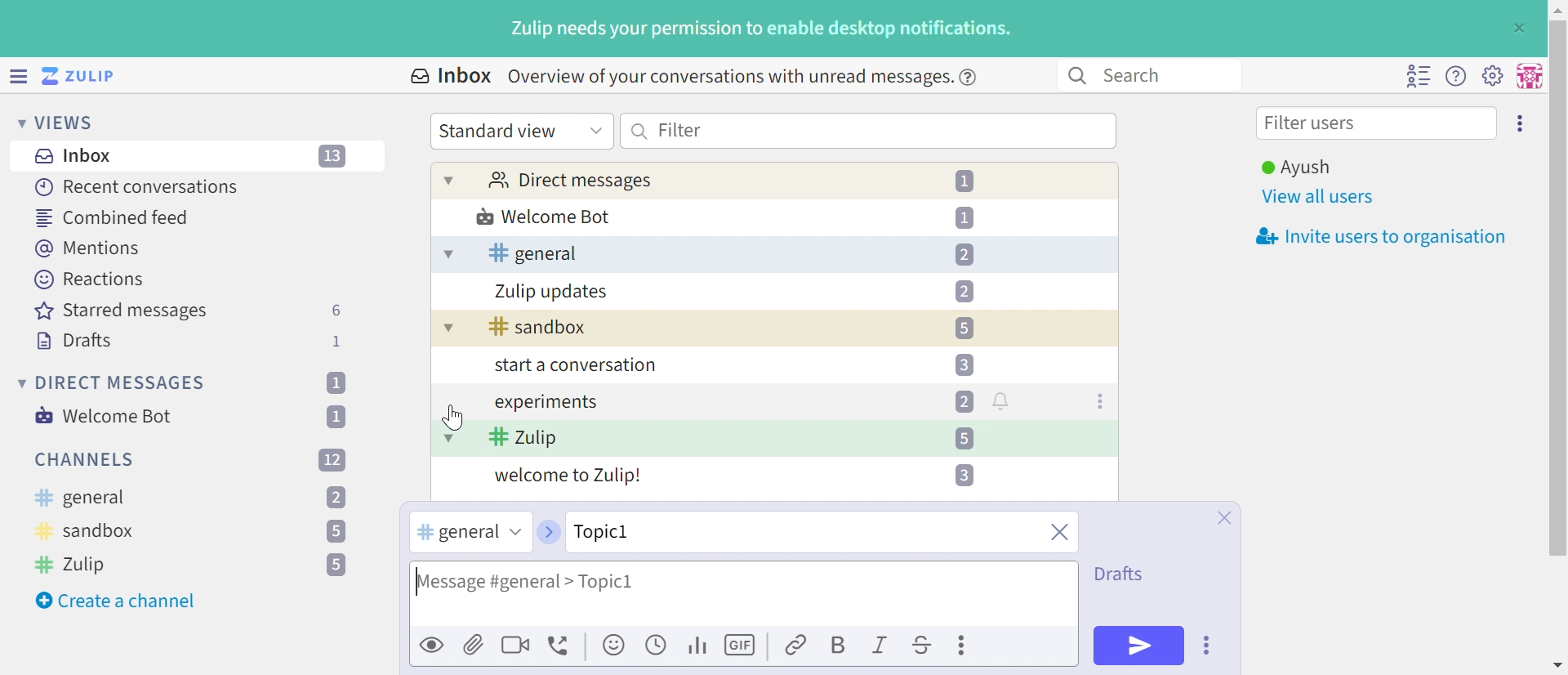 The height and width of the screenshot is (675, 1568). Describe the element at coordinates (1140, 74) in the screenshot. I see `Search` at that location.